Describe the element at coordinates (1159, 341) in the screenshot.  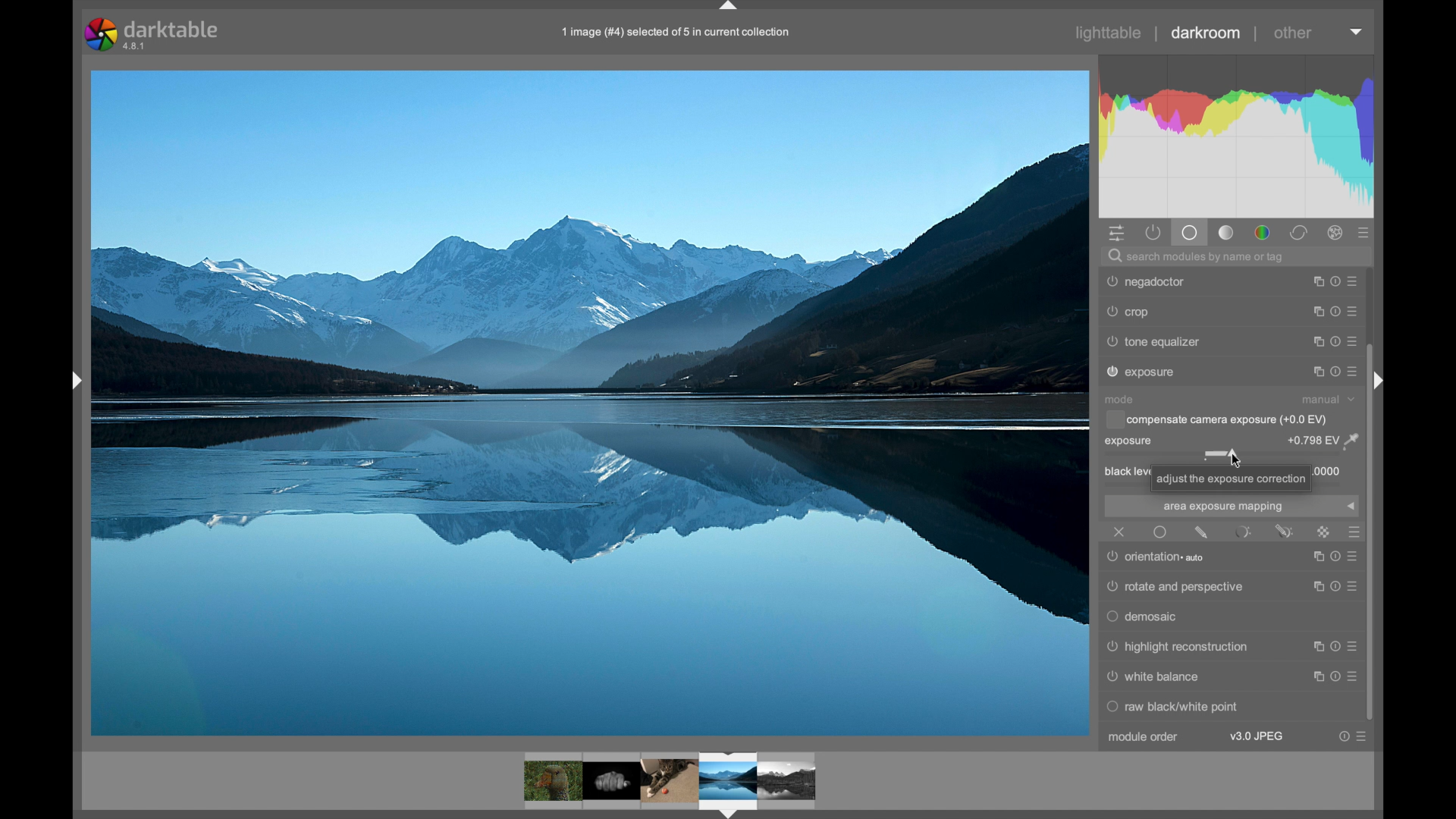
I see `base curve` at that location.